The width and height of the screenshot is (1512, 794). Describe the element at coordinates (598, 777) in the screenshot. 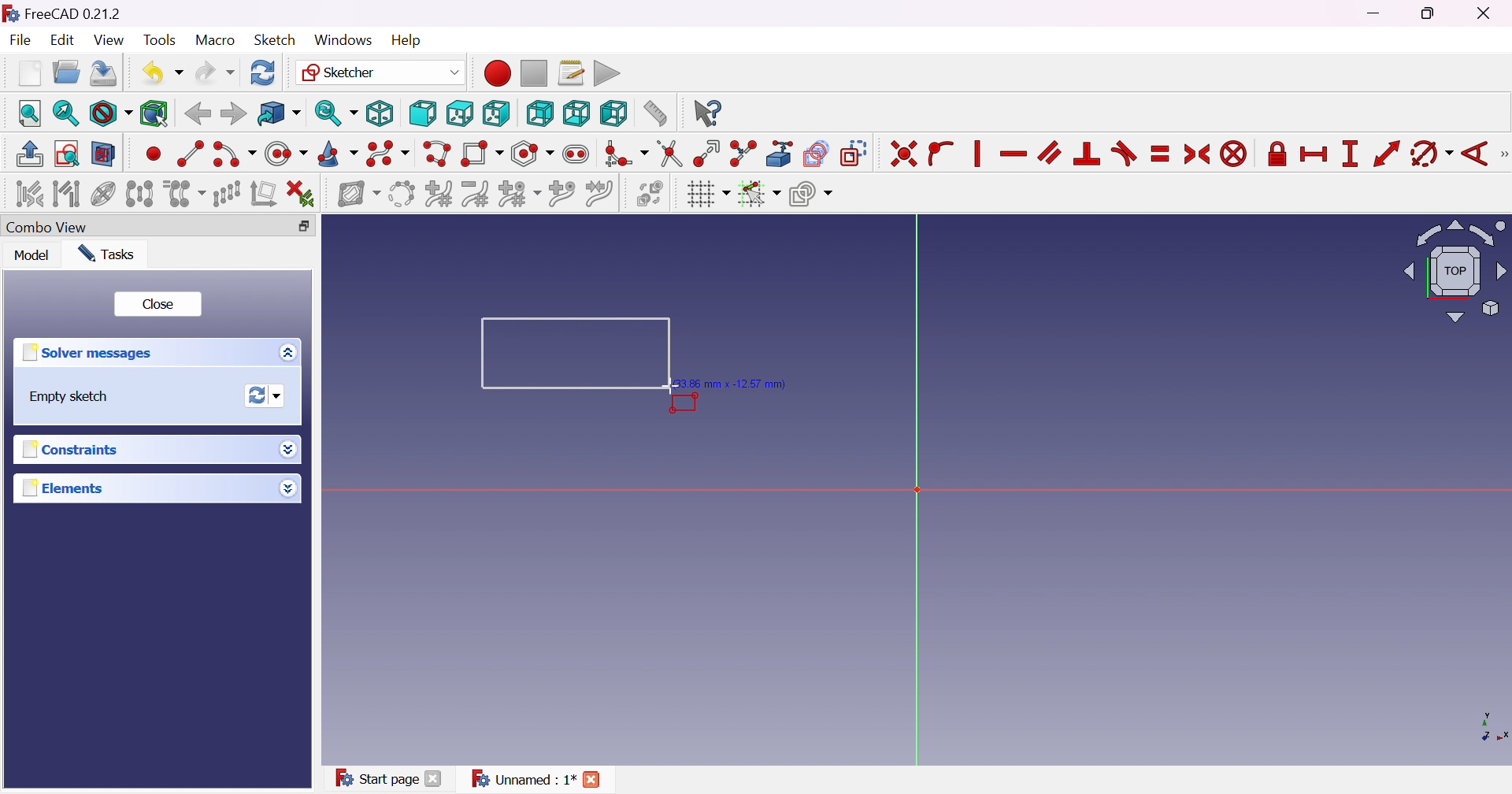

I see `Close` at that location.